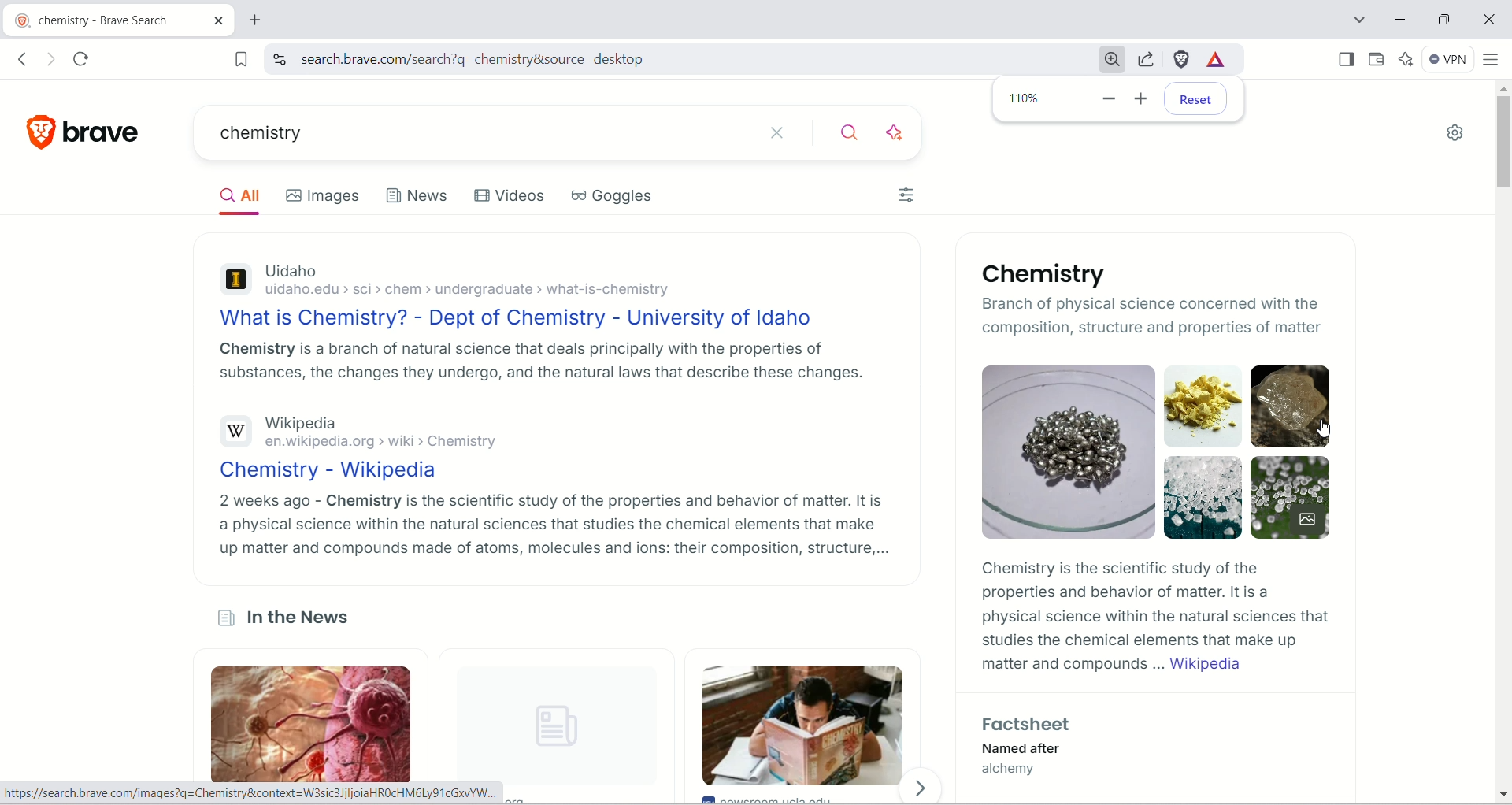 This screenshot has width=1512, height=805. Describe the element at coordinates (253, 794) in the screenshot. I see `https://search.brave.com/images?q=Chemistry&context=W3sic3JjljoiaHROCHM6Ly91cGxVYW...` at that location.